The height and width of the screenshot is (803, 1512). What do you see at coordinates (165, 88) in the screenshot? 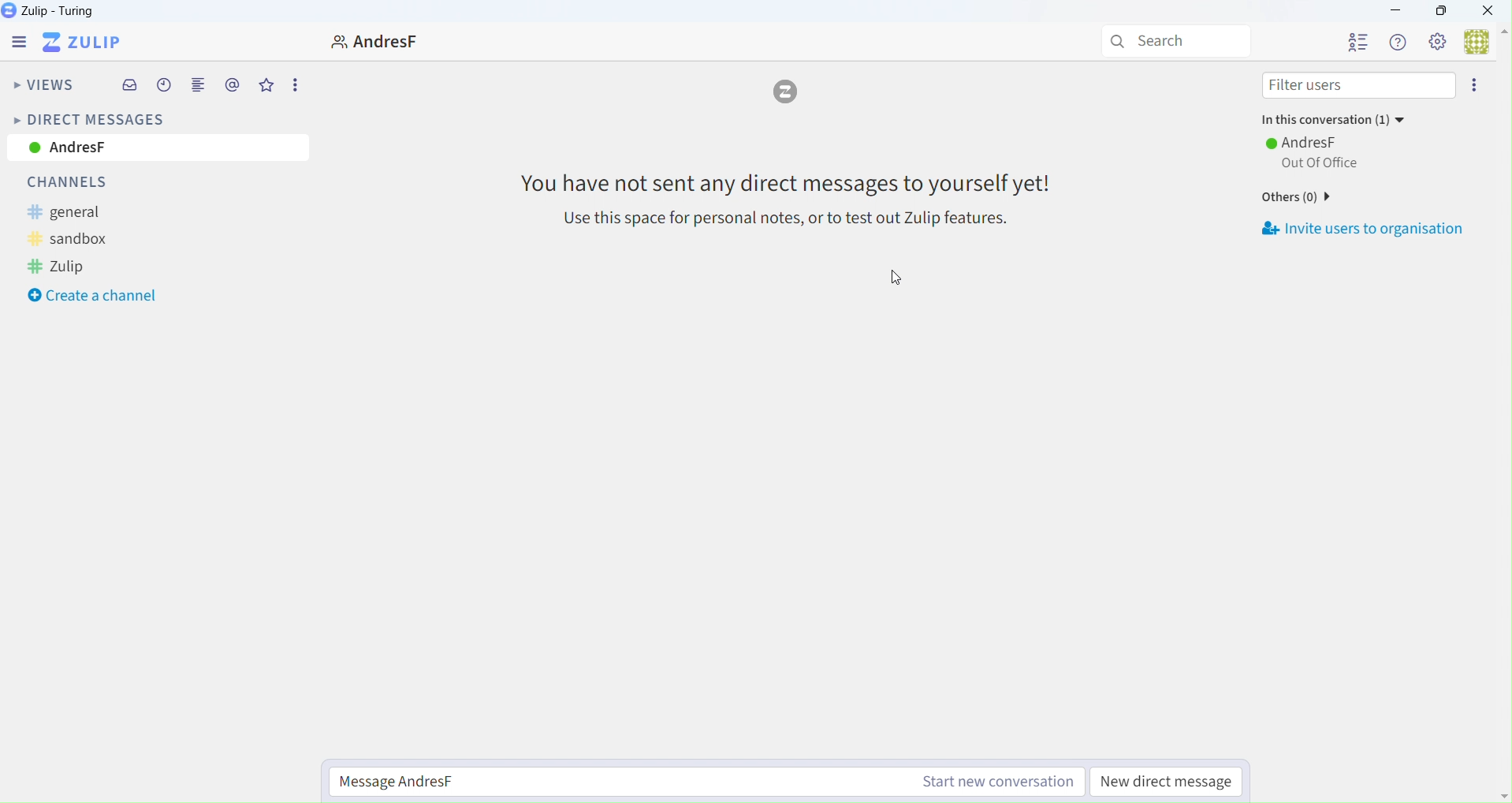
I see `Schedule` at bounding box center [165, 88].